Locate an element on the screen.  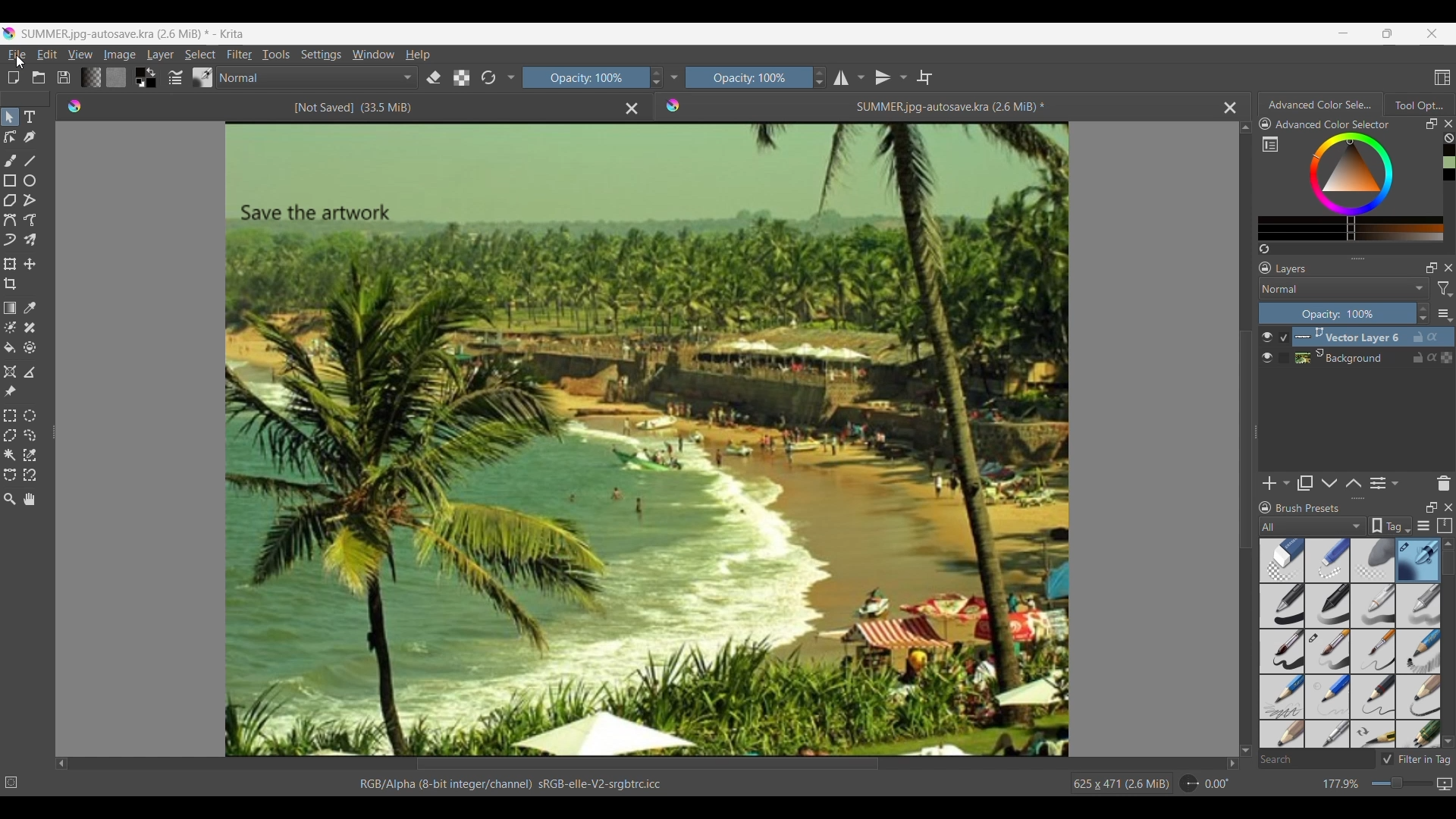
Close panel is located at coordinates (1448, 507).